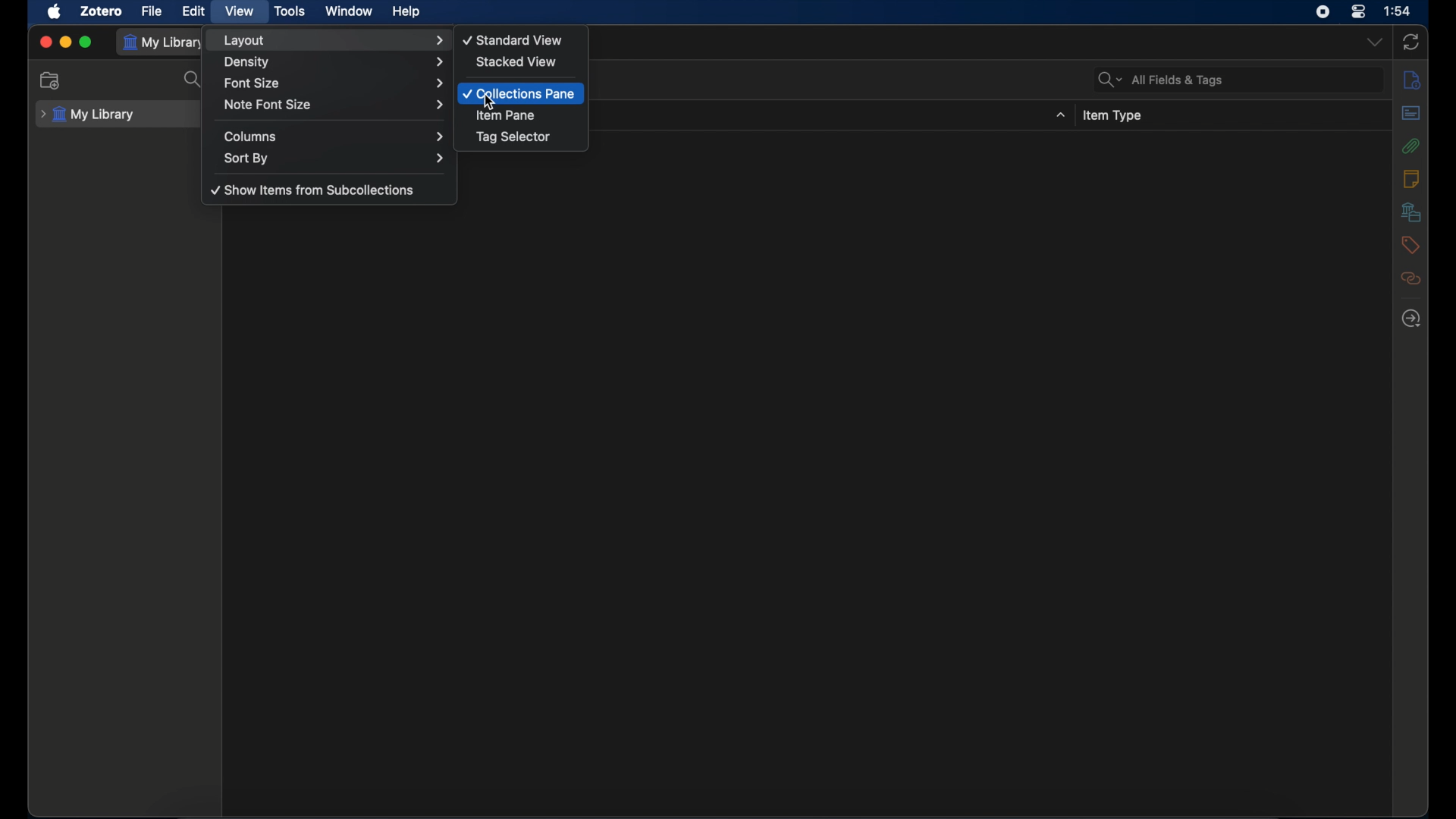 The width and height of the screenshot is (1456, 819). Describe the element at coordinates (86, 42) in the screenshot. I see `maximize` at that location.